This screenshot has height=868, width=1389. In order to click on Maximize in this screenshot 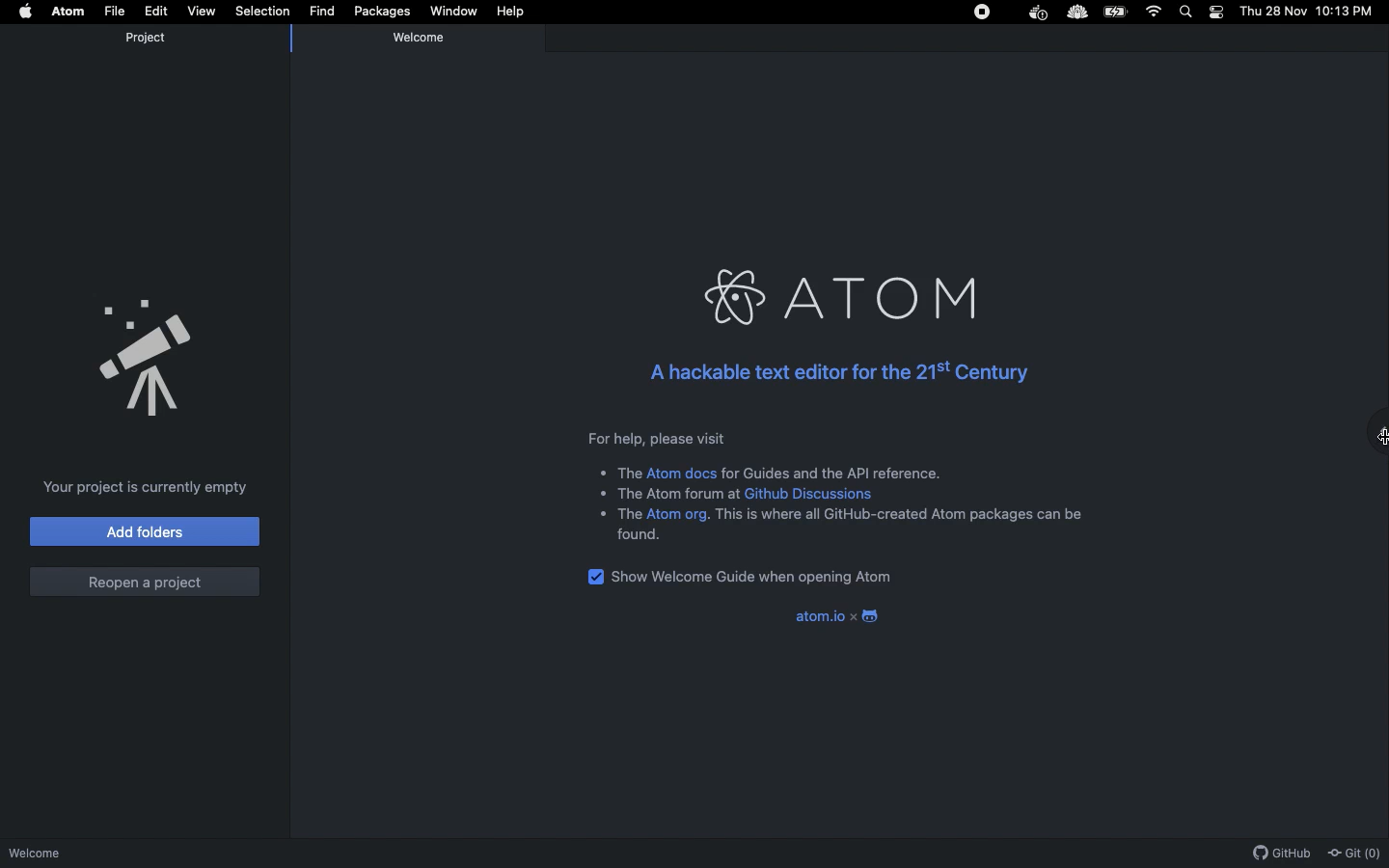, I will do `click(1361, 435)`.